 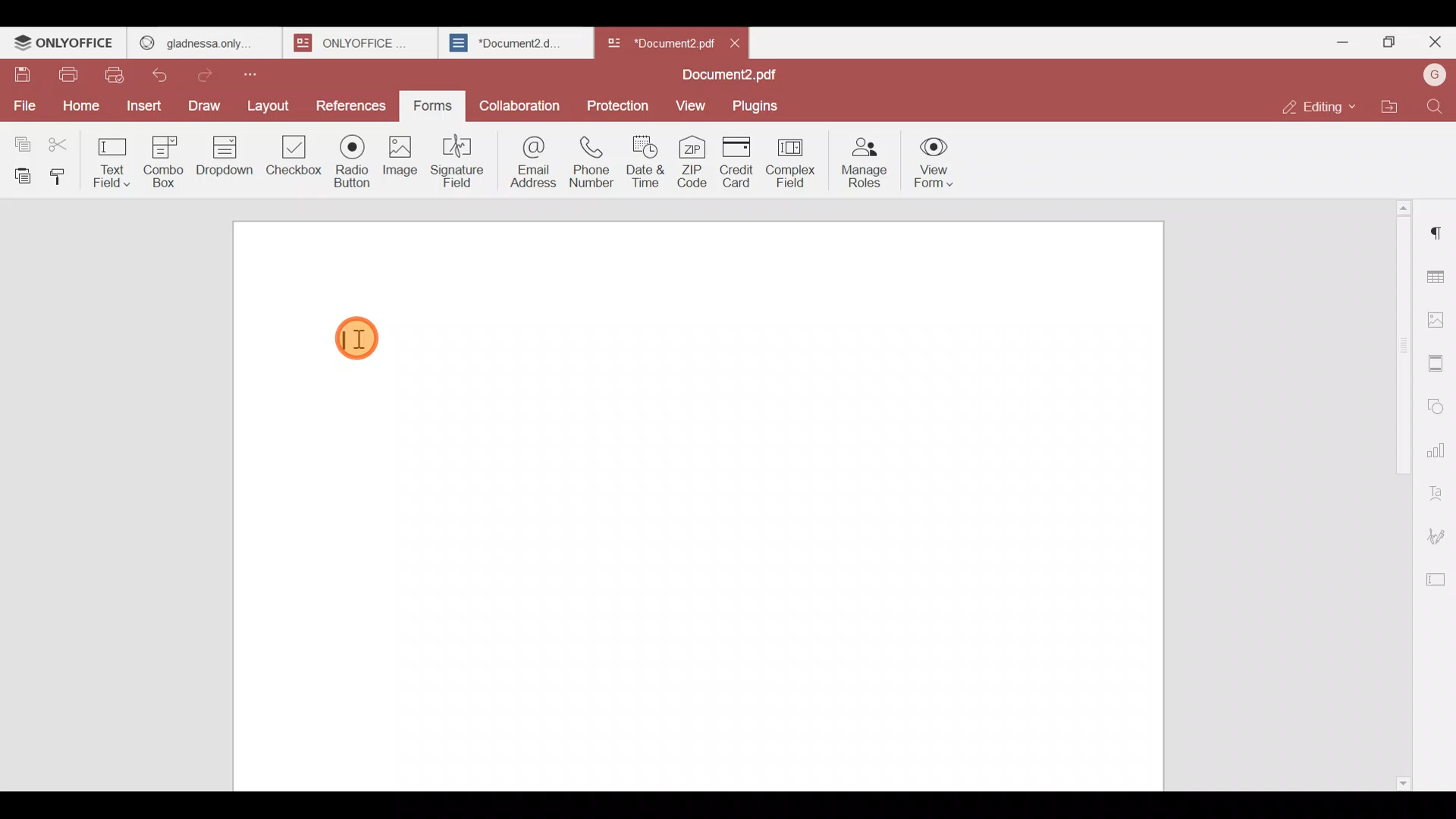 I want to click on References, so click(x=350, y=102).